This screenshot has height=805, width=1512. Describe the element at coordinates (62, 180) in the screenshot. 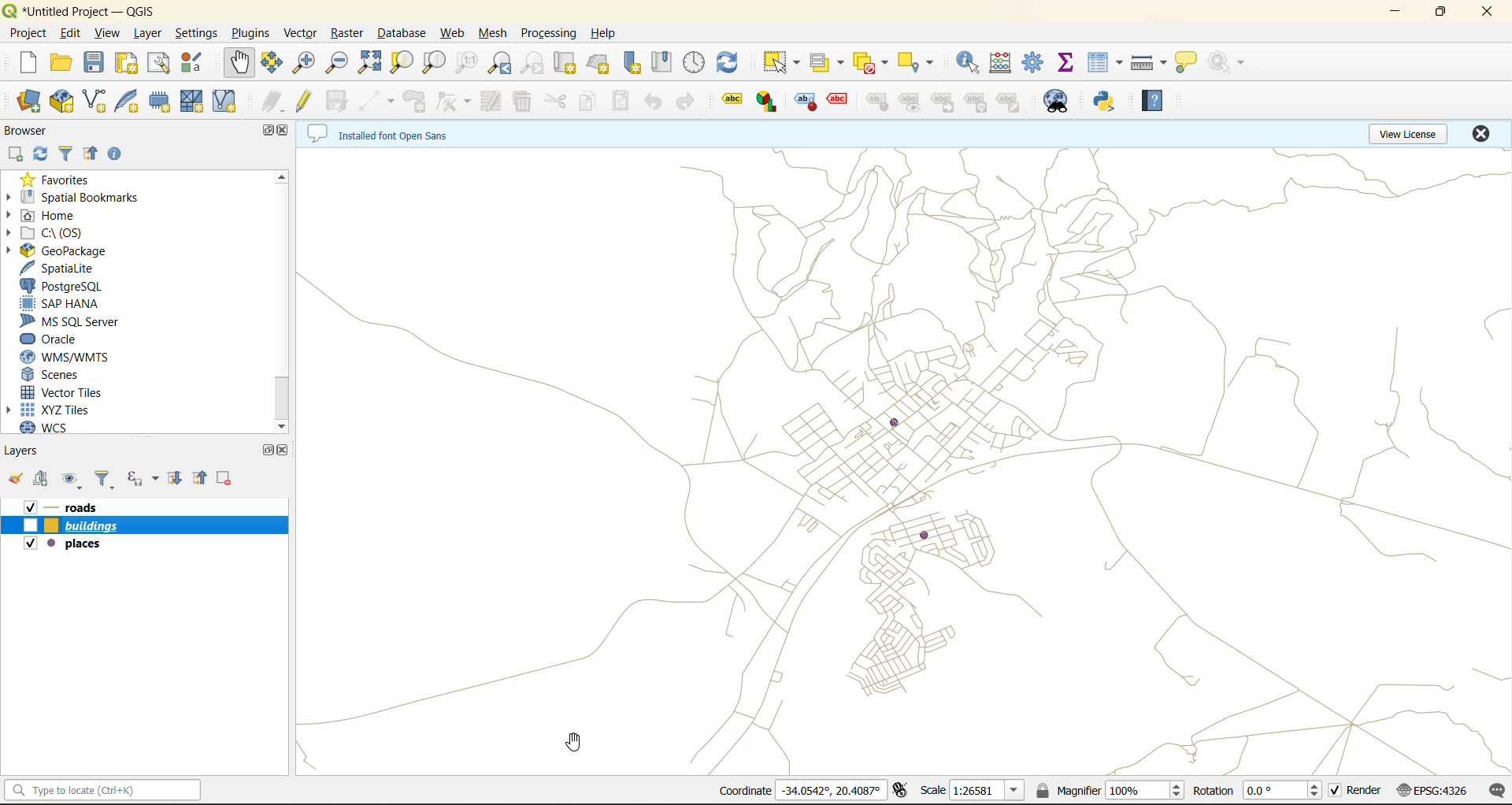

I see `favorites` at that location.